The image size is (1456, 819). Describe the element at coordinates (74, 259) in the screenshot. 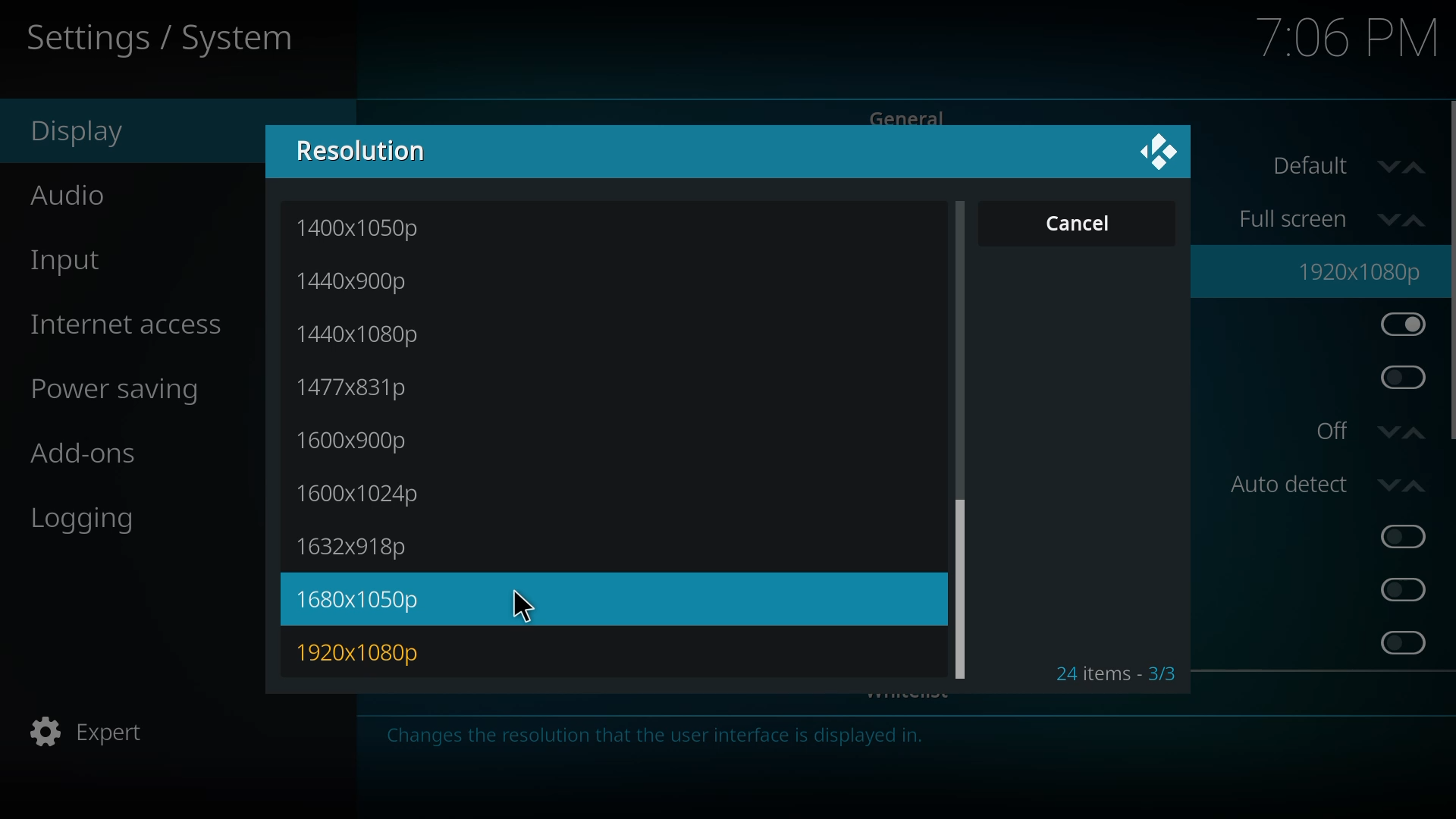

I see `input` at that location.